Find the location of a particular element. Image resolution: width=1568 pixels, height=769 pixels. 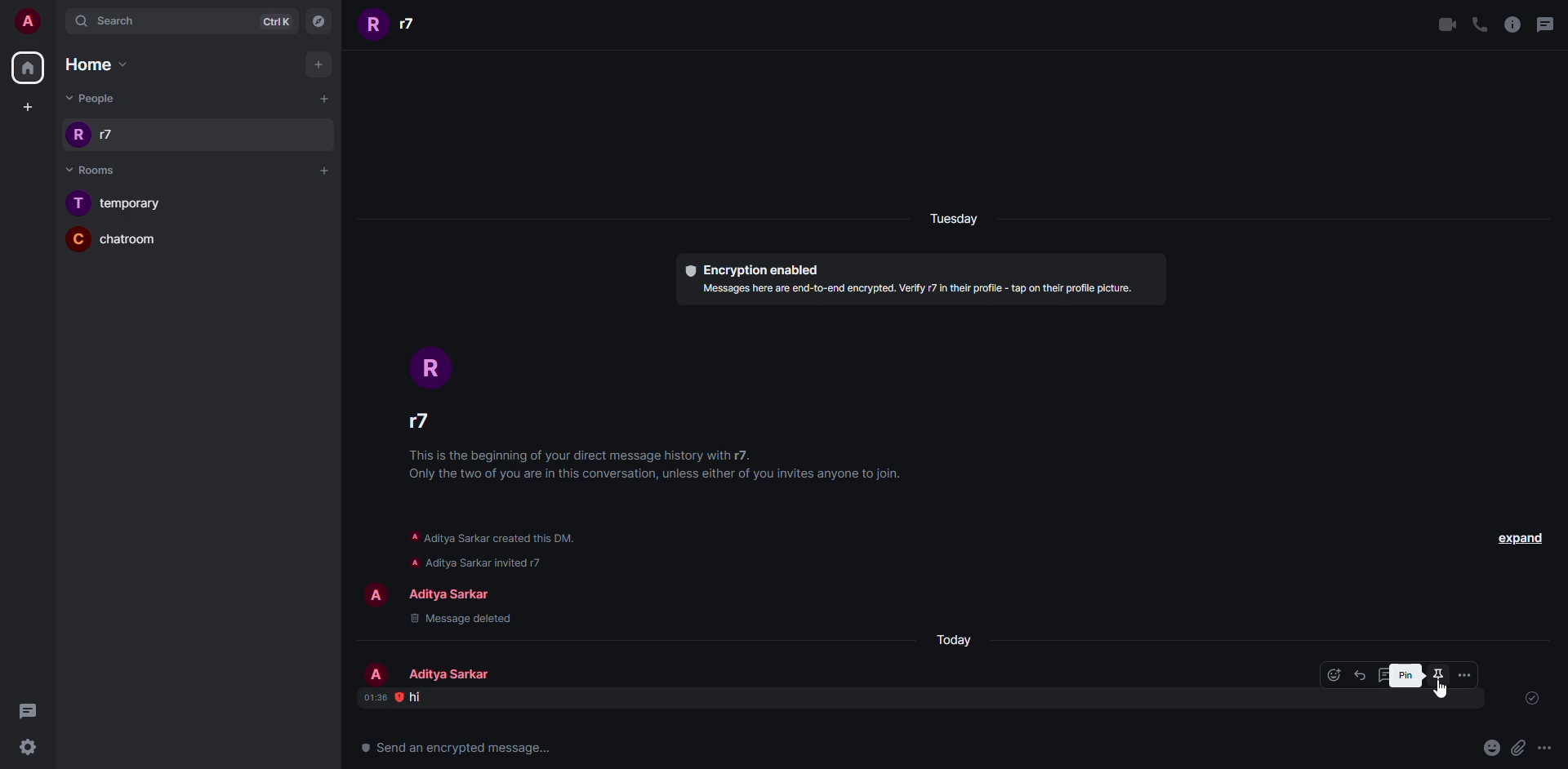

time is located at coordinates (381, 697).